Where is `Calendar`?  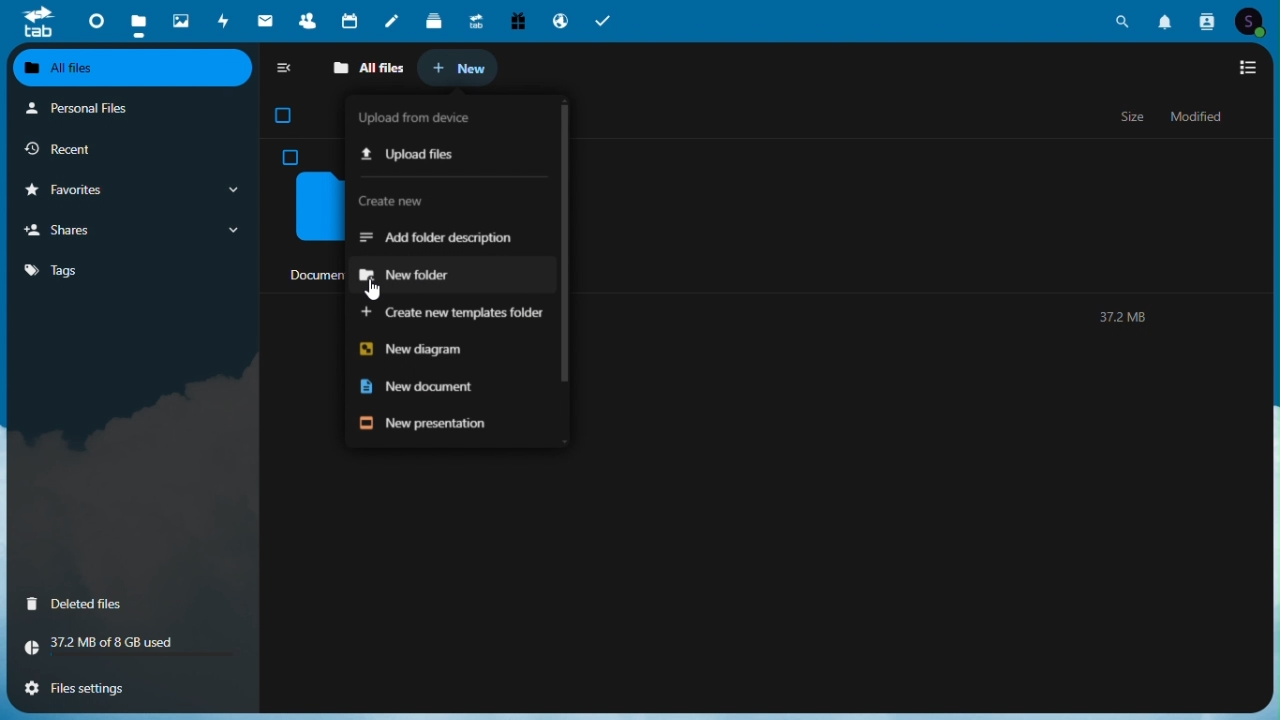
Calendar is located at coordinates (352, 19).